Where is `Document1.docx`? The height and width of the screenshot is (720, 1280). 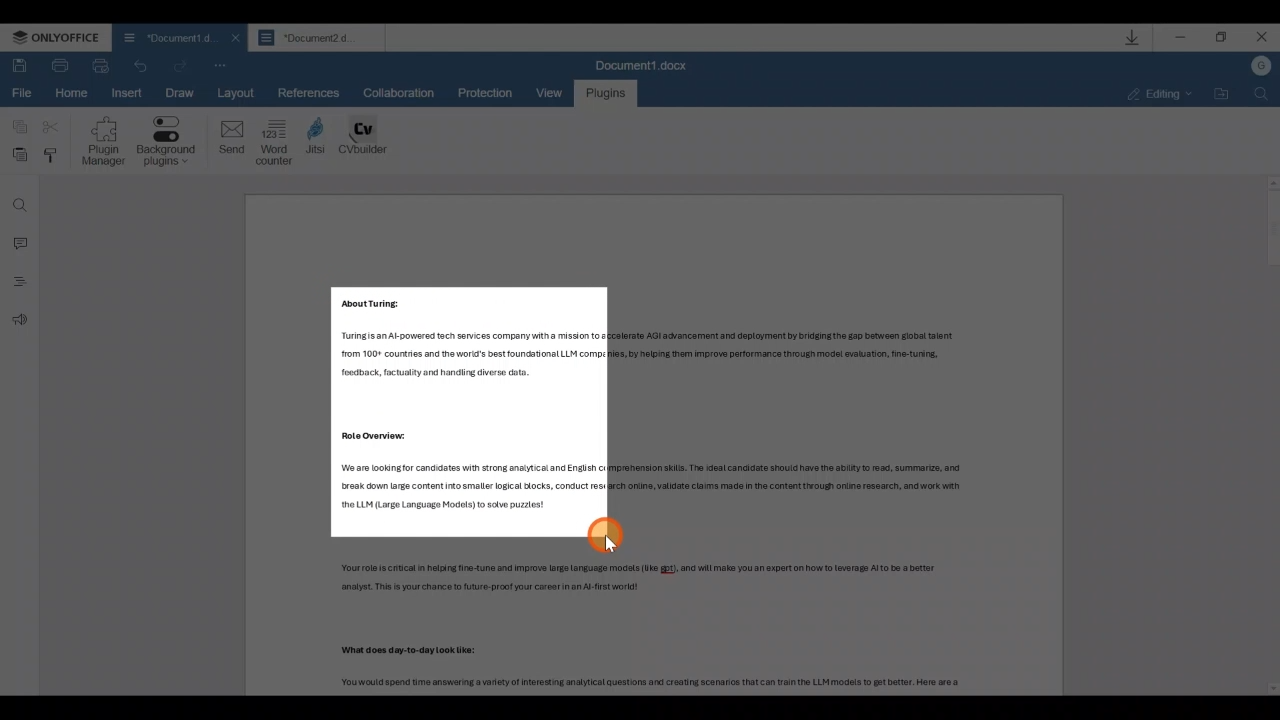
Document1.docx is located at coordinates (646, 64).